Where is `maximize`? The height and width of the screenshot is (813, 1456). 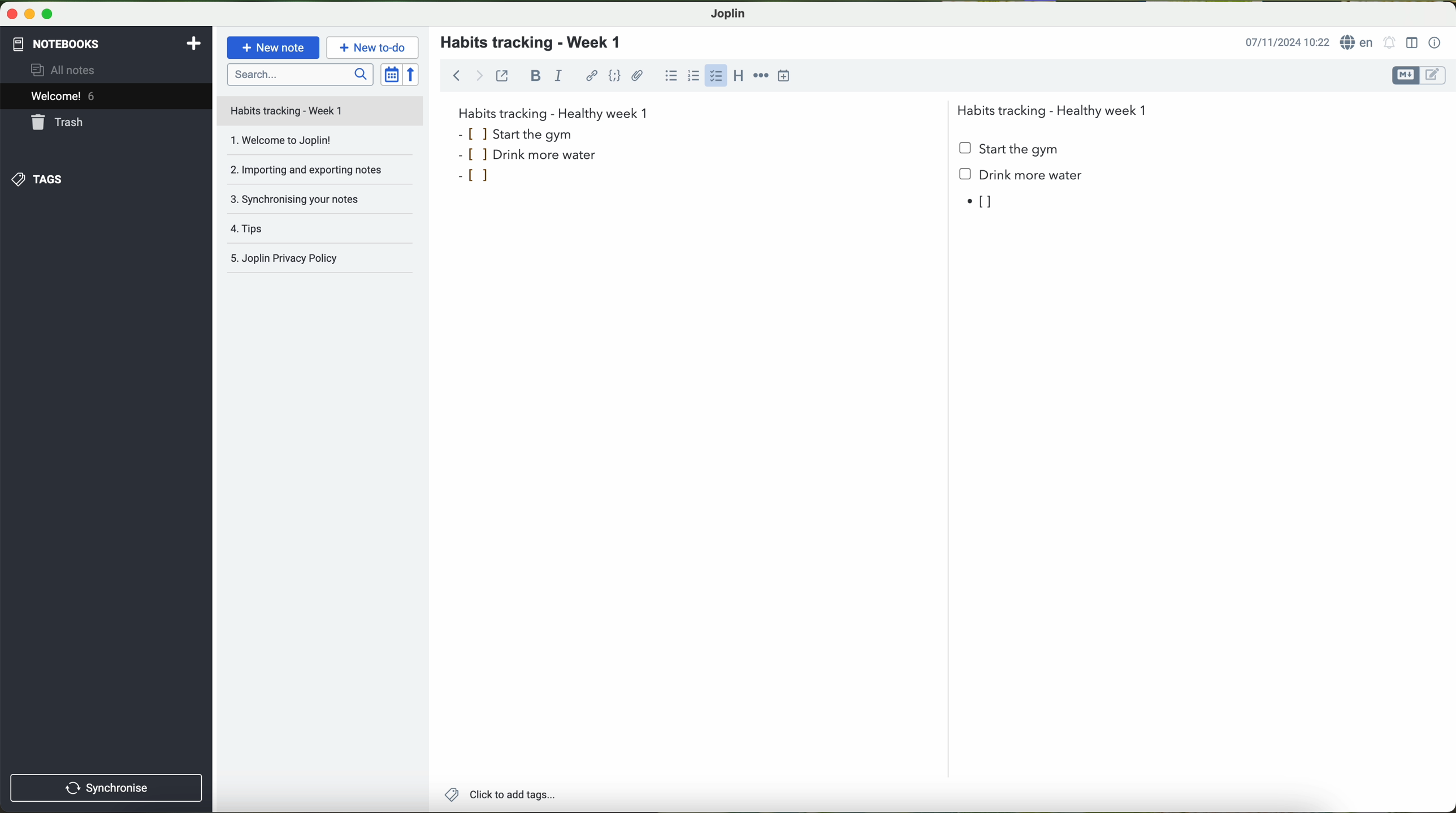
maximize is located at coordinates (48, 14).